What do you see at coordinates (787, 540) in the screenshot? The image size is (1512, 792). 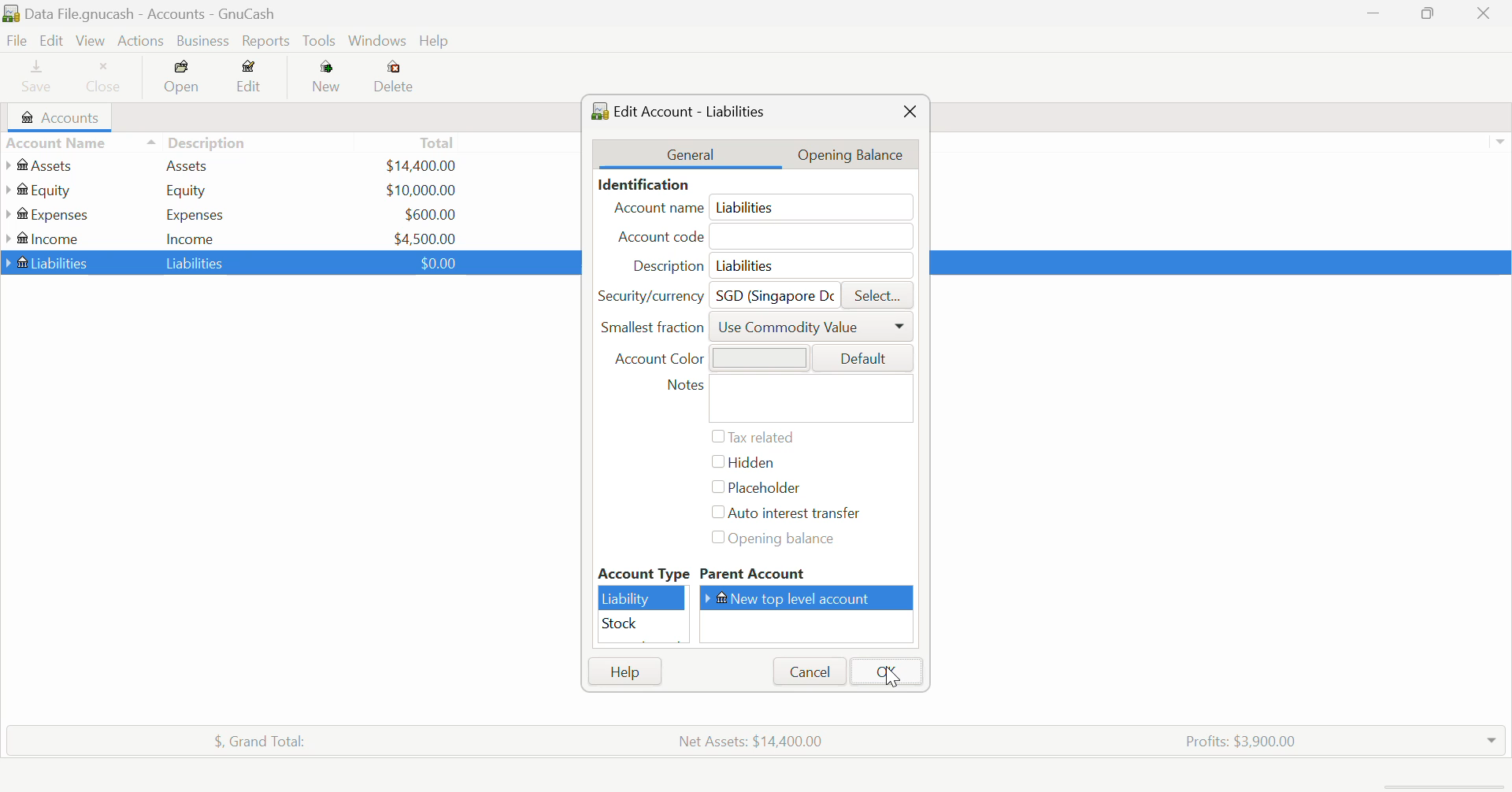 I see `Opening balance` at bounding box center [787, 540].